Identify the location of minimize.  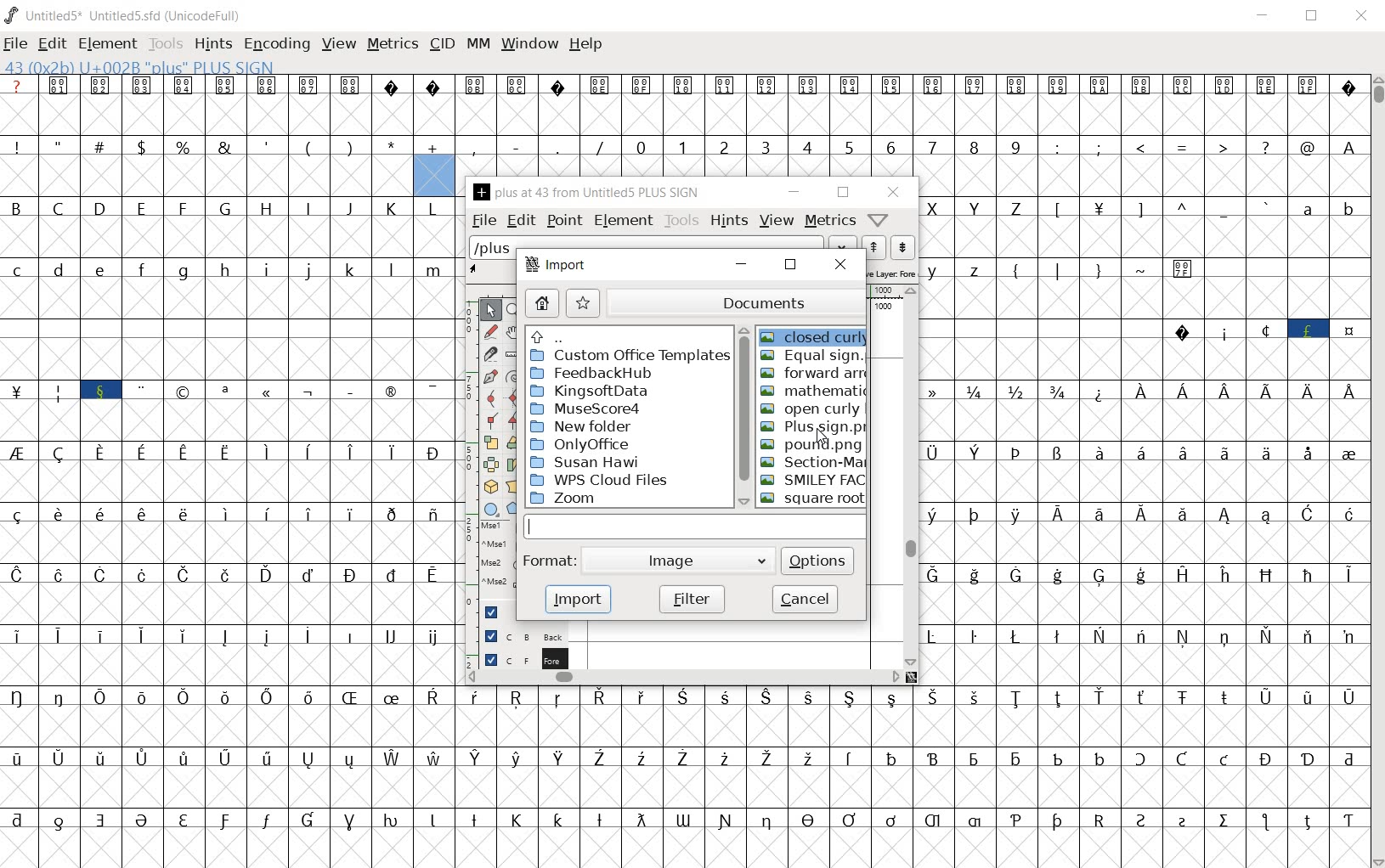
(1265, 14).